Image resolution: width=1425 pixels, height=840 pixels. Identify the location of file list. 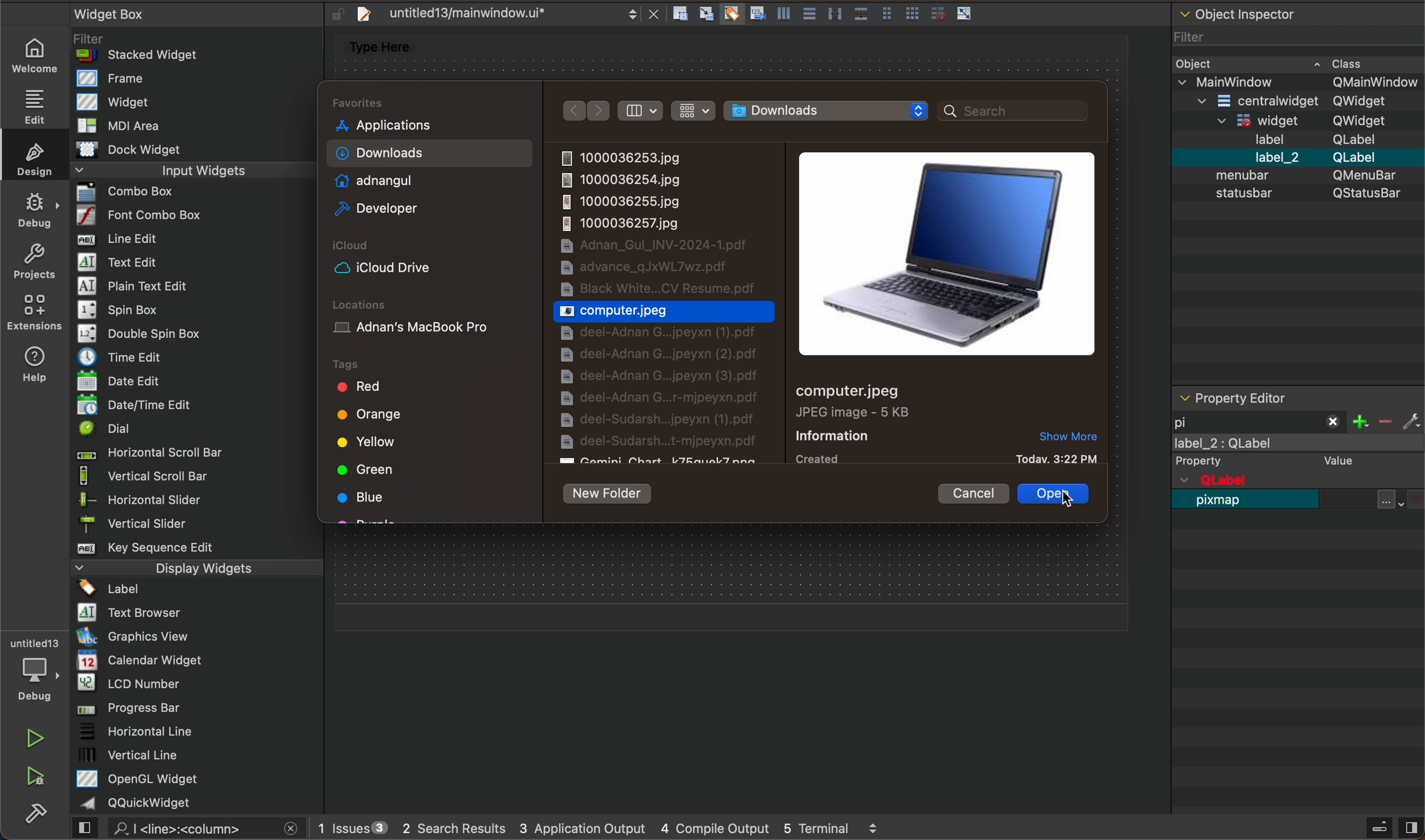
(668, 305).